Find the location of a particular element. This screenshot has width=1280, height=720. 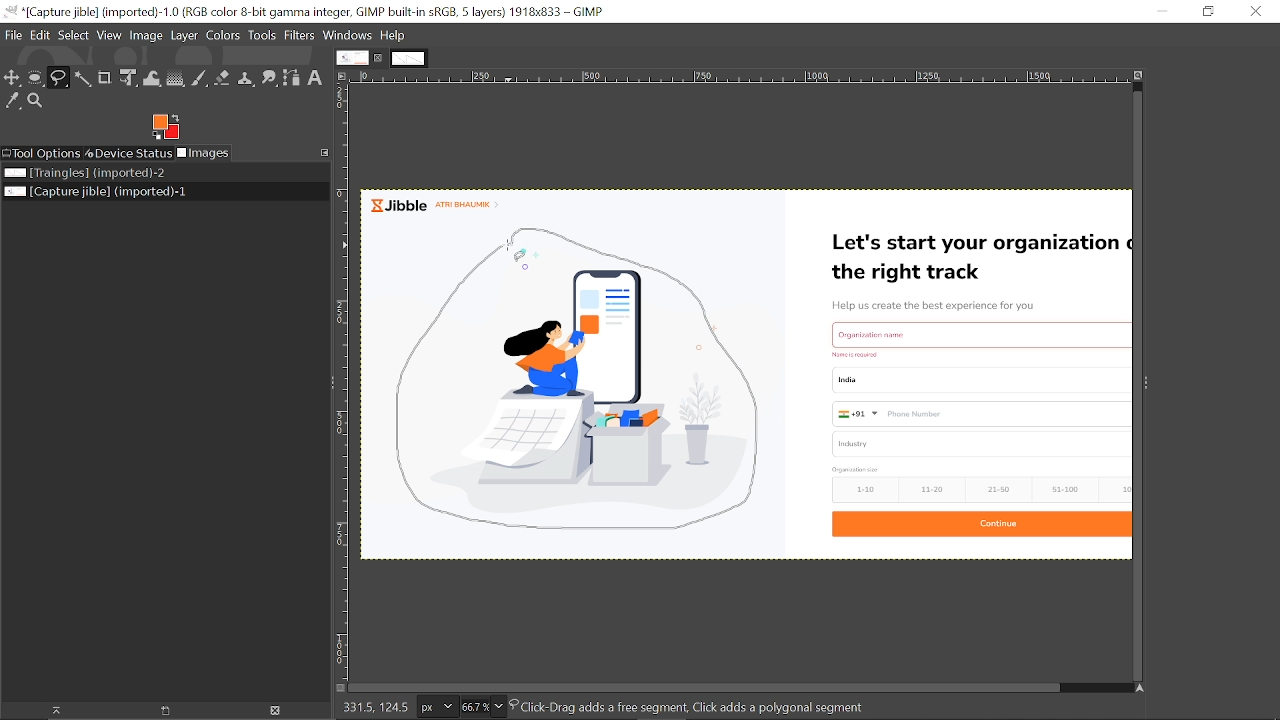

cursor is located at coordinates (505, 248).